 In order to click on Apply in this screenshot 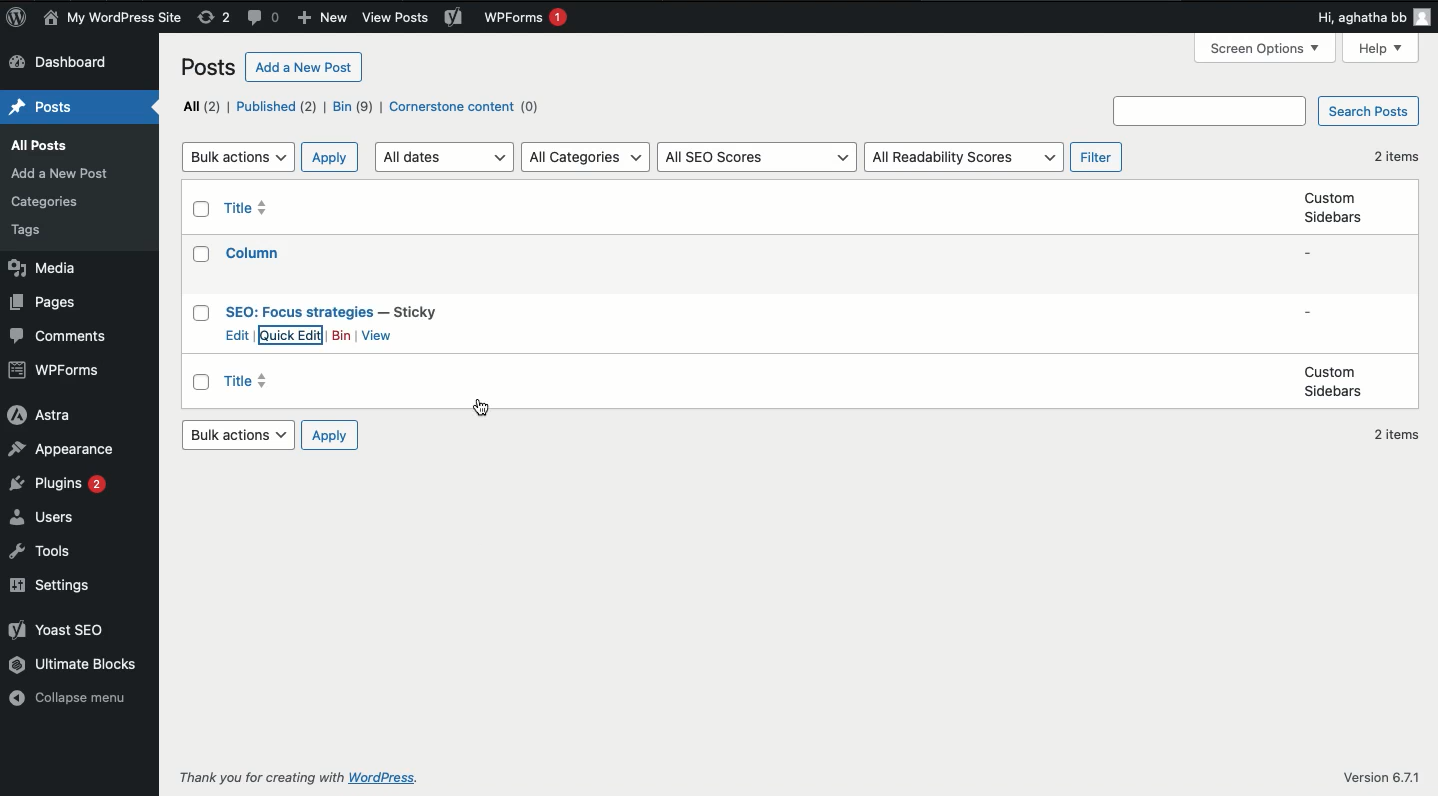, I will do `click(331, 157)`.